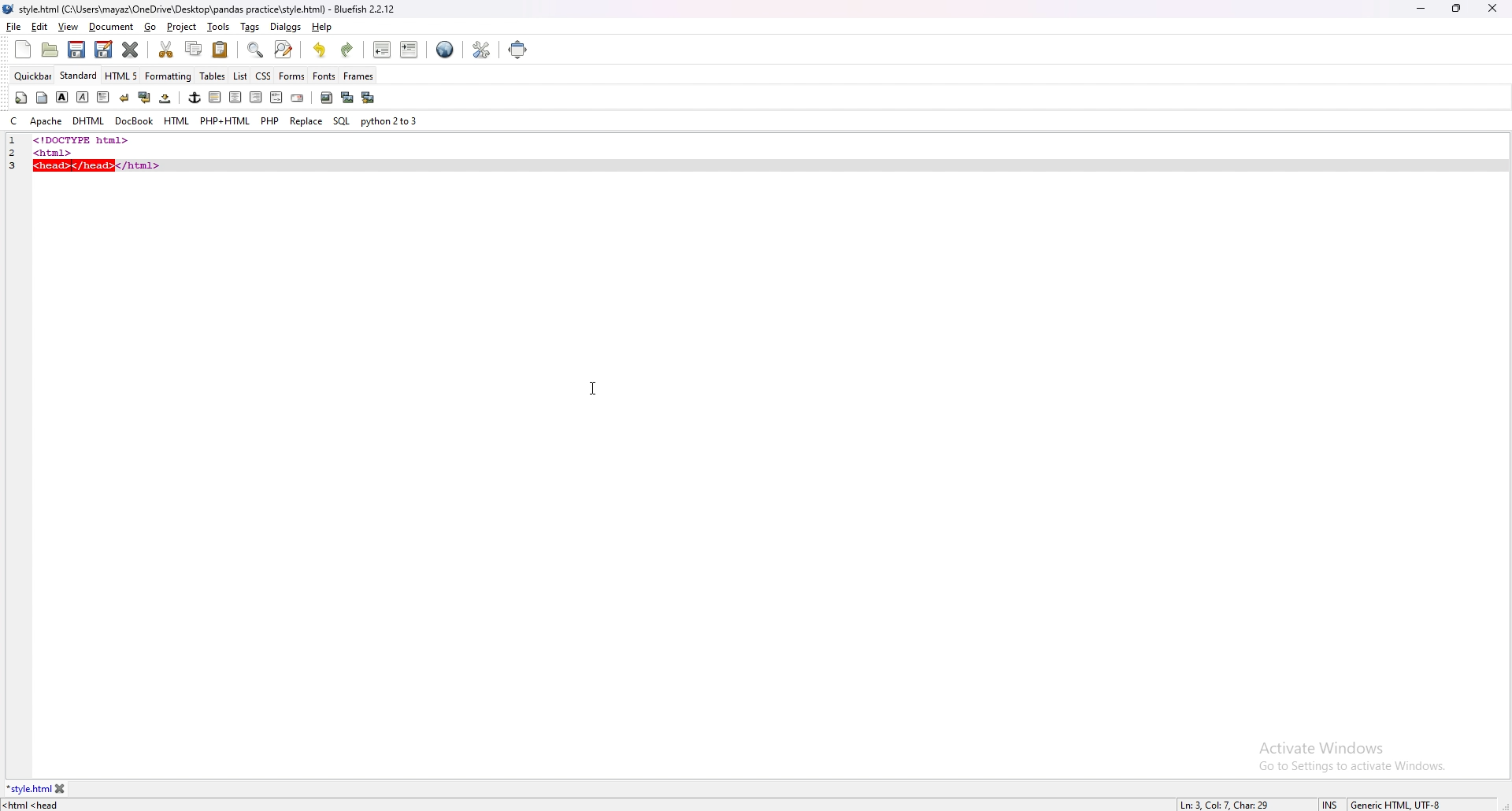 Image resolution: width=1512 pixels, height=811 pixels. What do you see at coordinates (1330, 804) in the screenshot?
I see `cursor mode` at bounding box center [1330, 804].